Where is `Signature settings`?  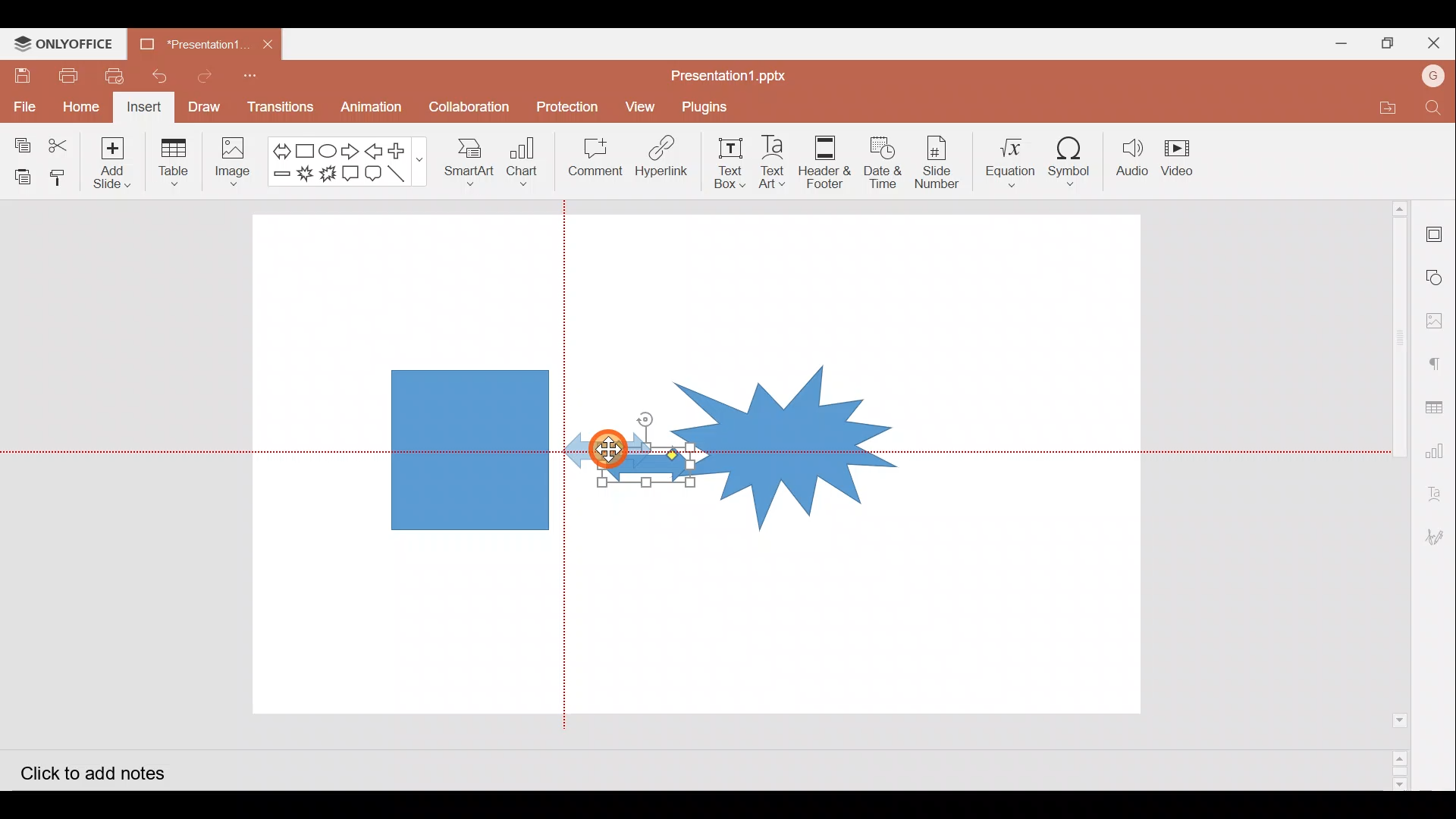 Signature settings is located at coordinates (1439, 539).